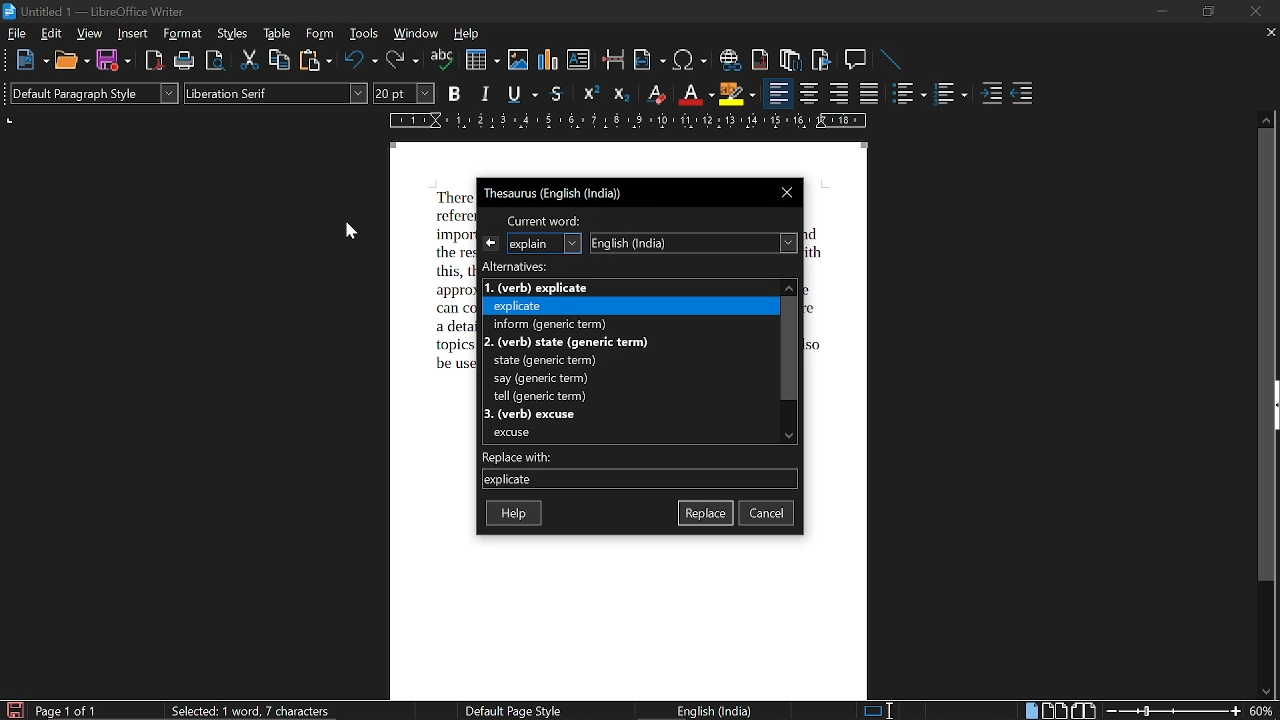 This screenshot has width=1280, height=720. What do you see at coordinates (791, 60) in the screenshot?
I see `insert footnote` at bounding box center [791, 60].